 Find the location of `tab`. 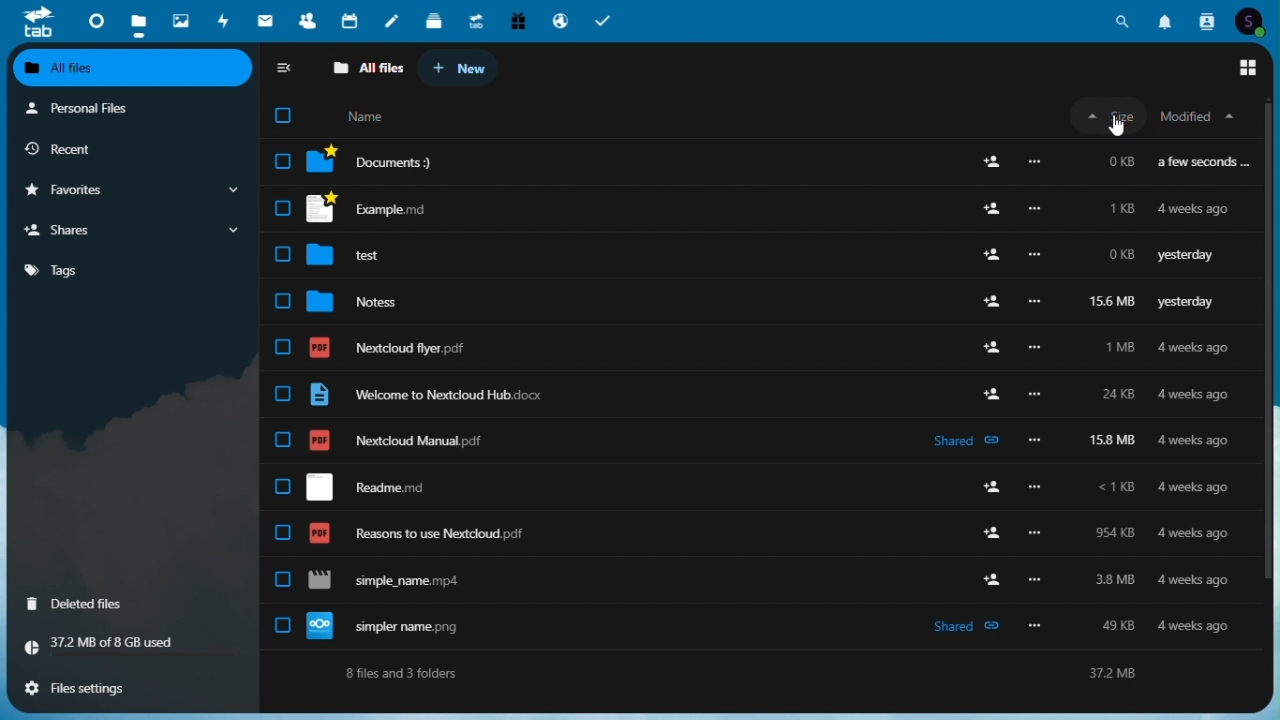

tab is located at coordinates (34, 22).